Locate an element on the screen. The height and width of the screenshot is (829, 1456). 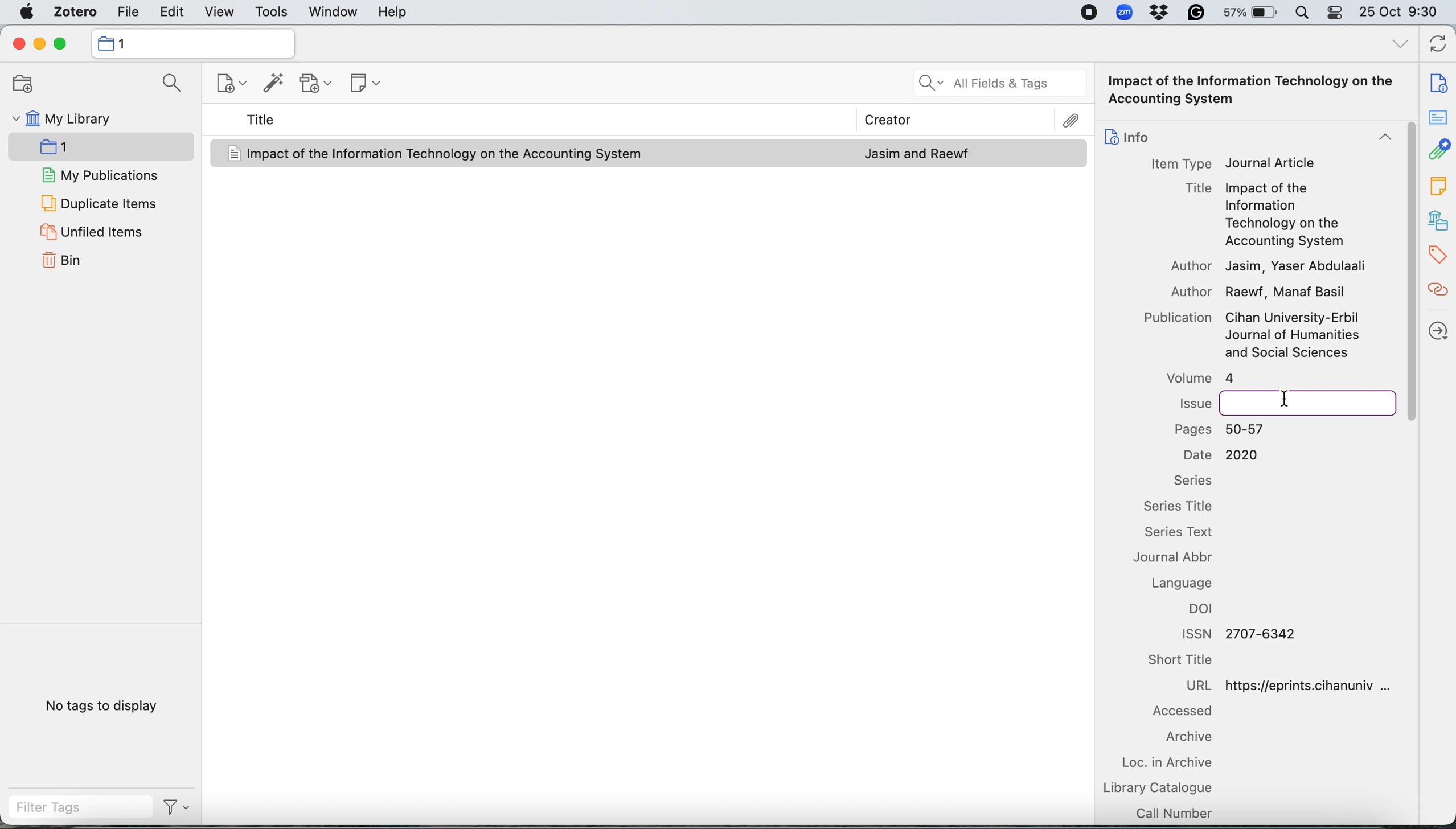
library and collections is located at coordinates (1437, 219).